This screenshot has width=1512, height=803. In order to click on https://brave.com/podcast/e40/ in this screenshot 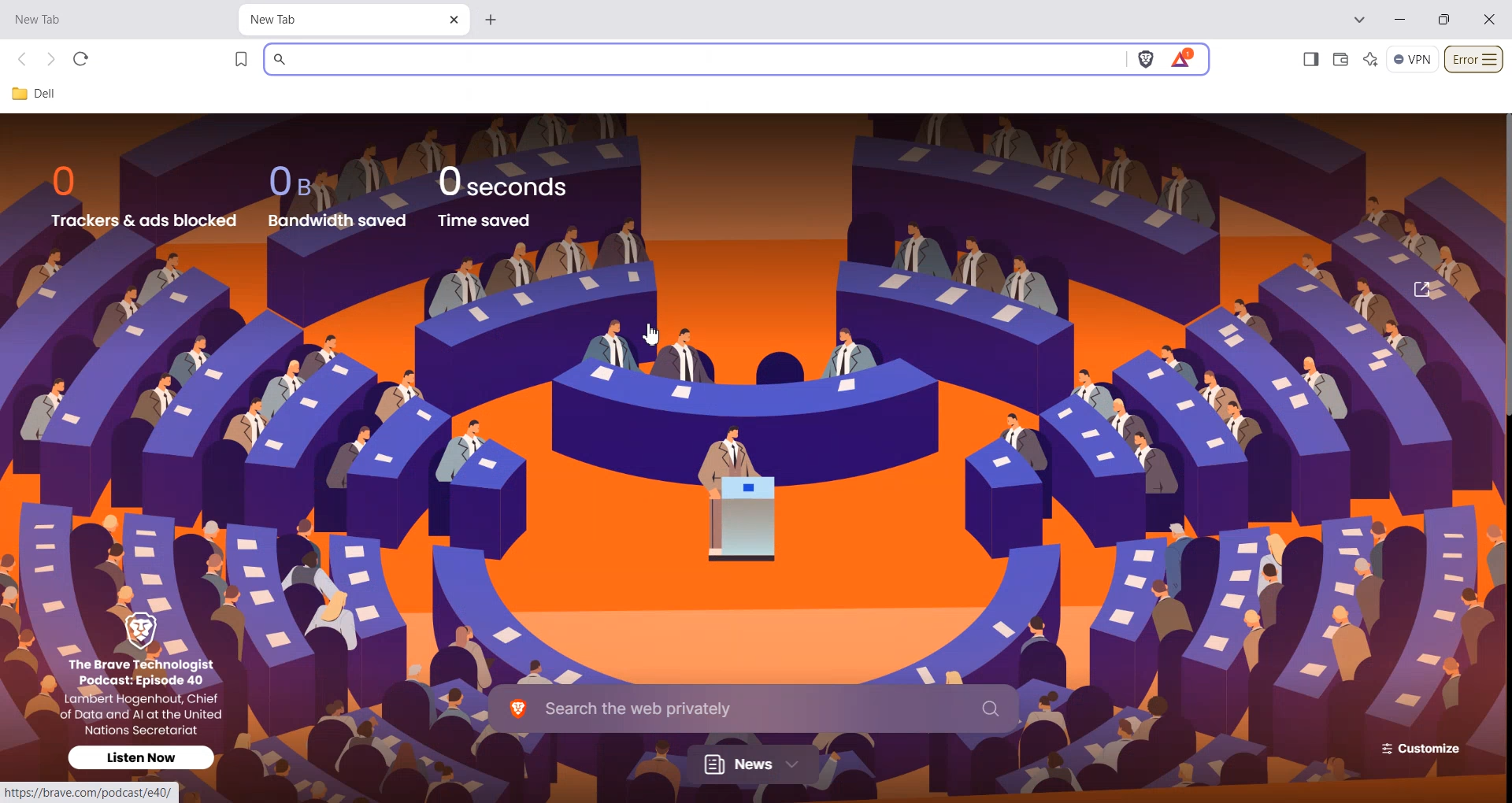, I will do `click(87, 794)`.